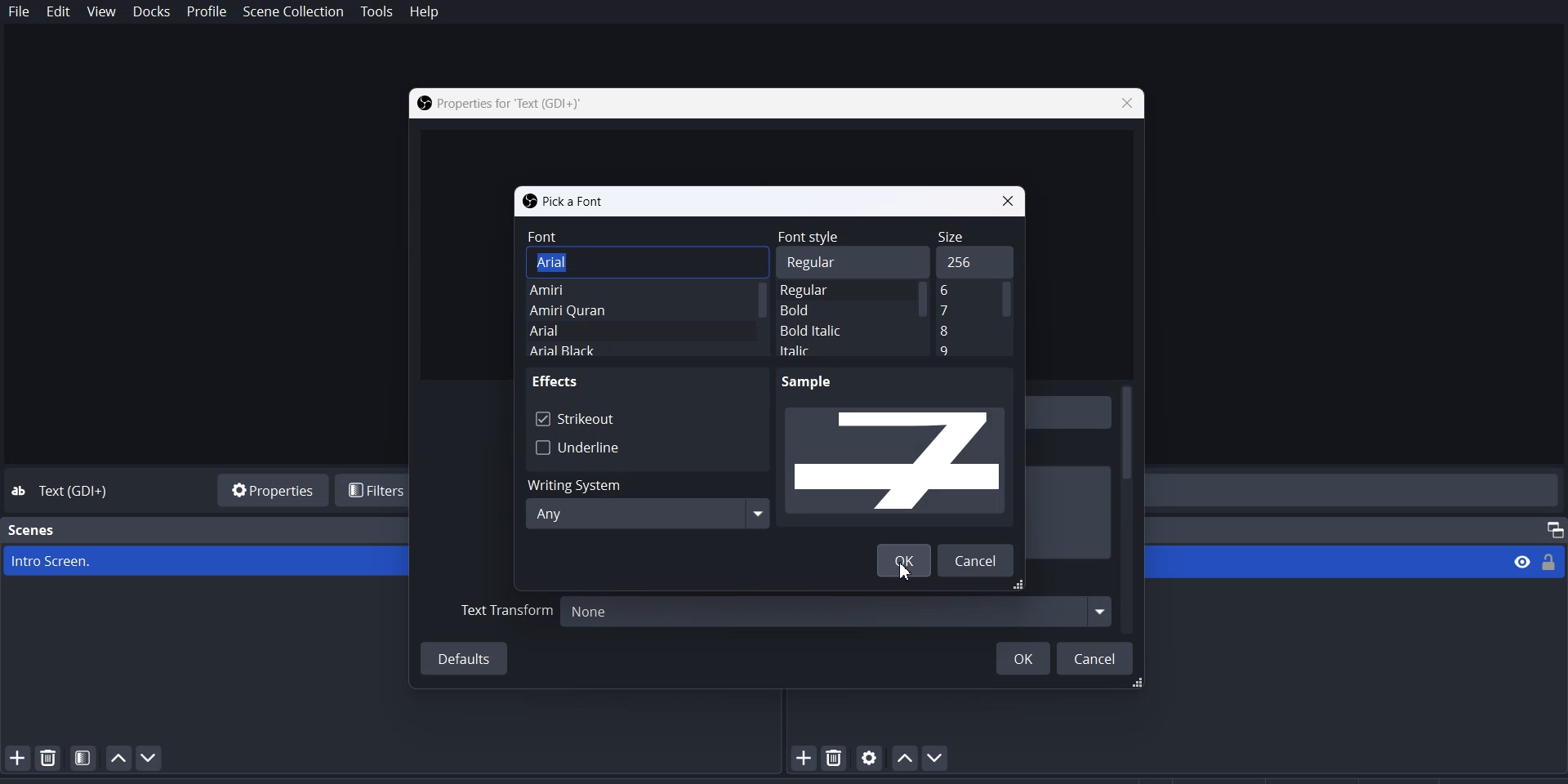 Image resolution: width=1568 pixels, height=784 pixels. Describe the element at coordinates (1008, 318) in the screenshot. I see `Vertical Scroll bar` at that location.